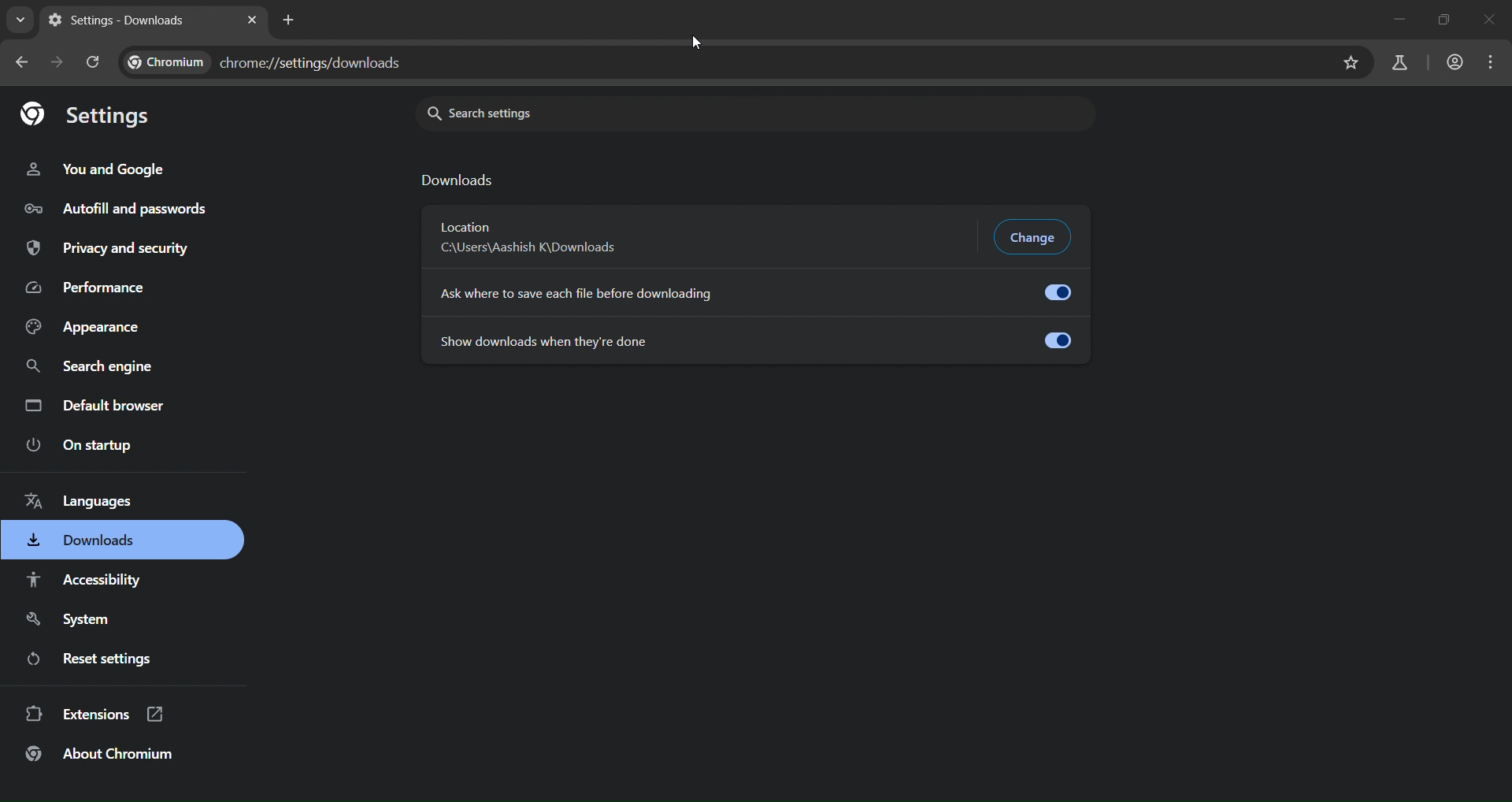 The image size is (1512, 802). What do you see at coordinates (252, 20) in the screenshot?
I see `close tab` at bounding box center [252, 20].